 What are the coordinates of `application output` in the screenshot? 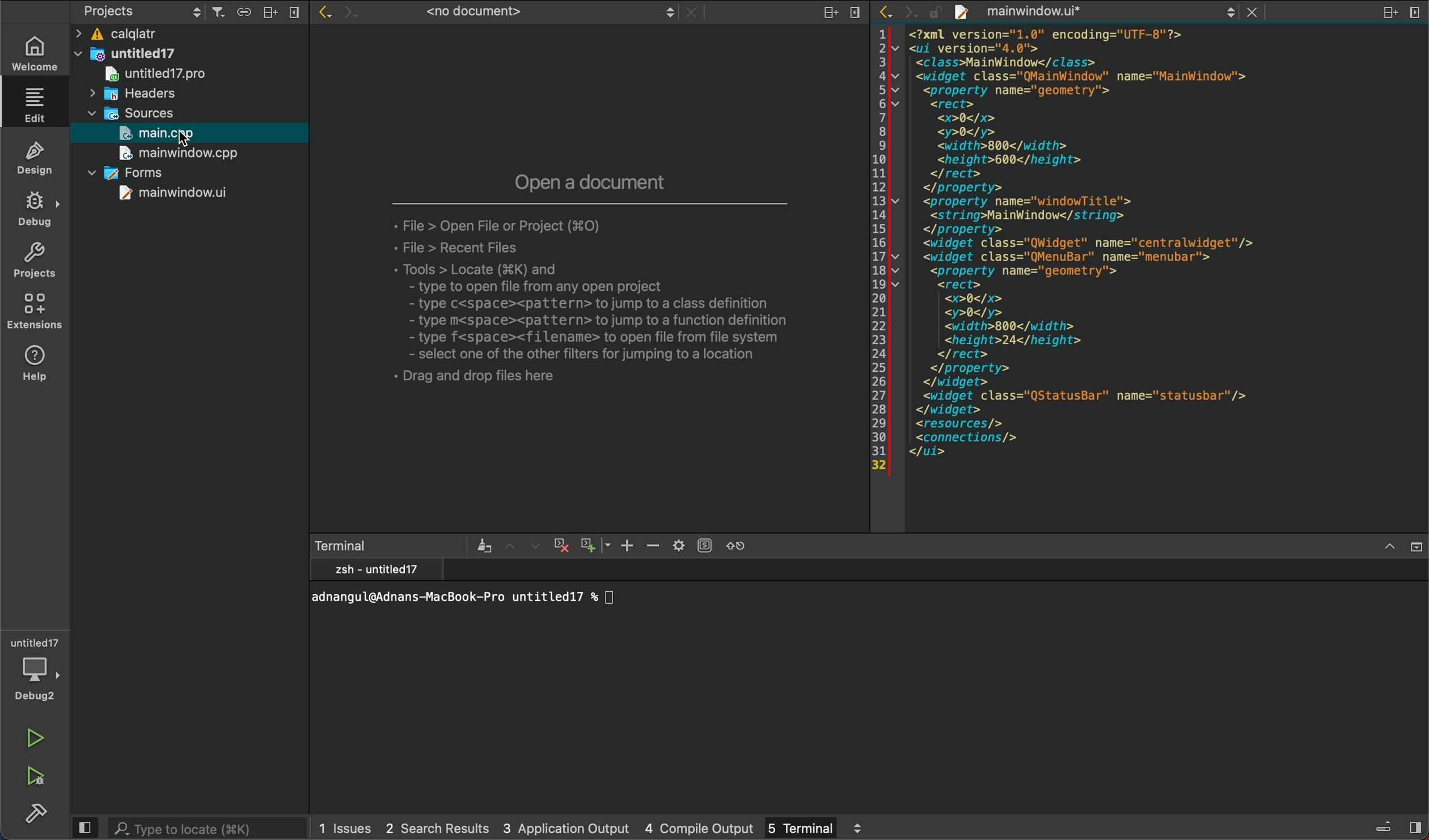 It's located at (566, 826).